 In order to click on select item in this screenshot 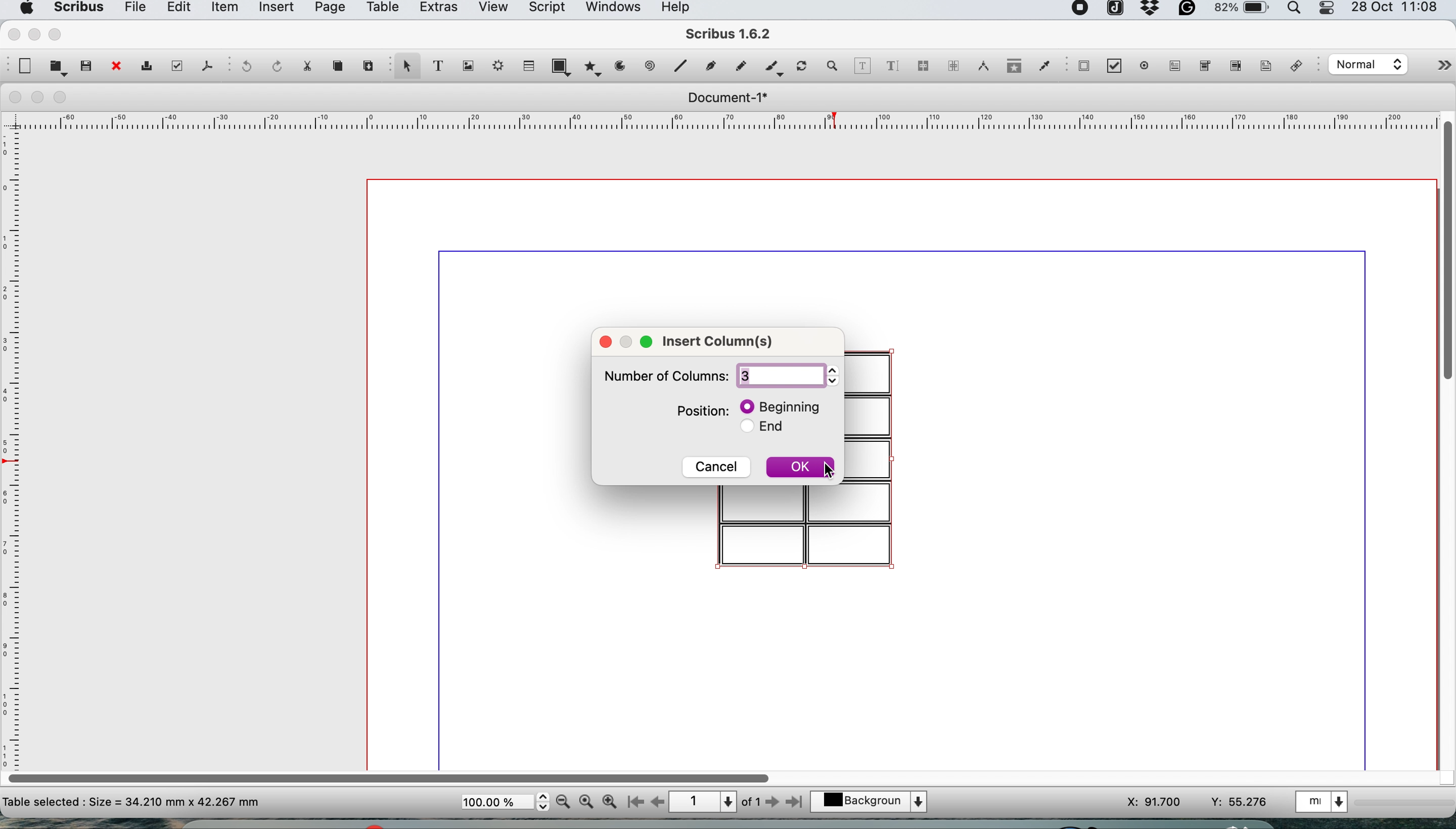, I will do `click(405, 67)`.